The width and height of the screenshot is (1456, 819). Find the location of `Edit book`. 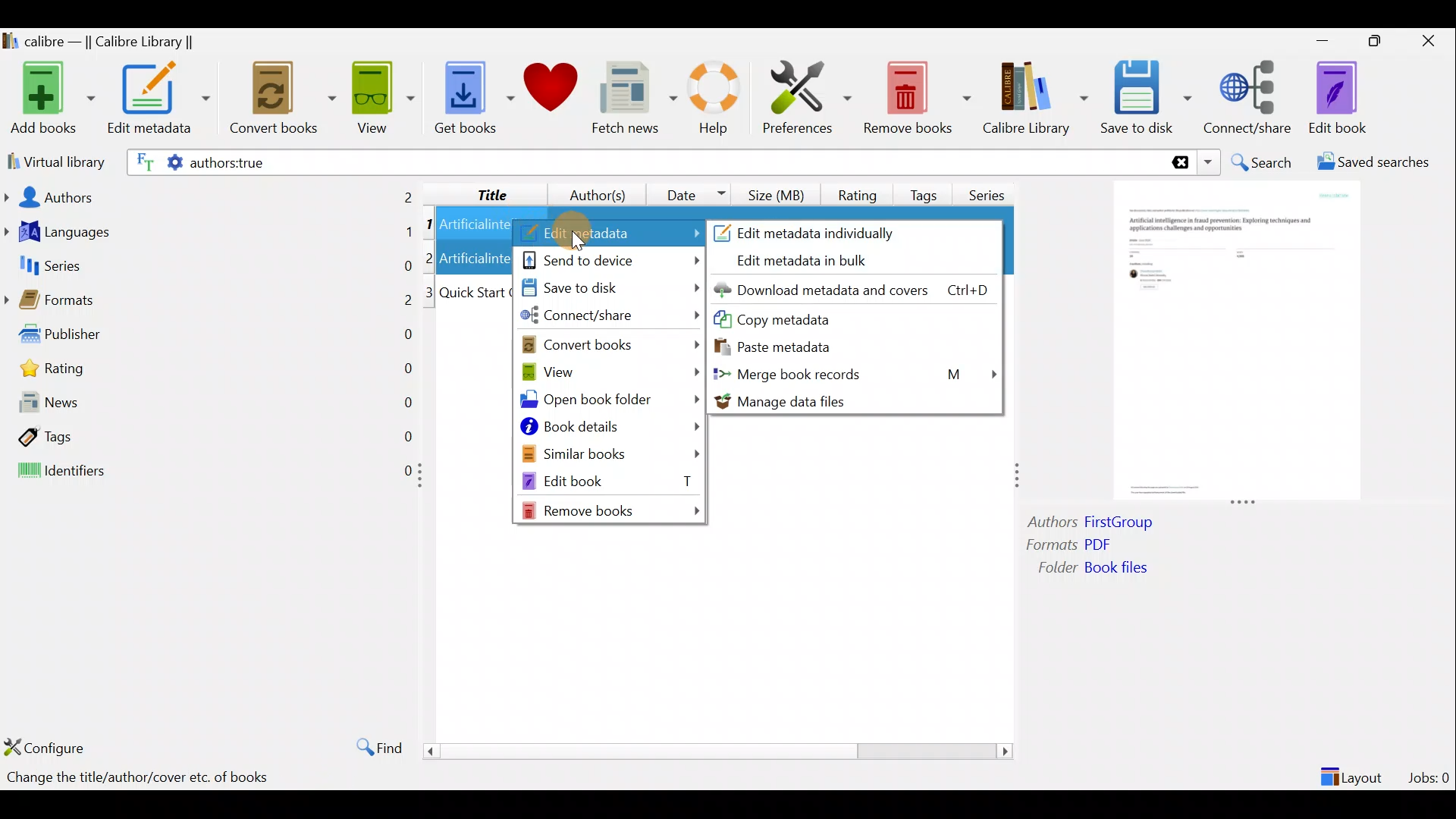

Edit book is located at coordinates (1335, 99).